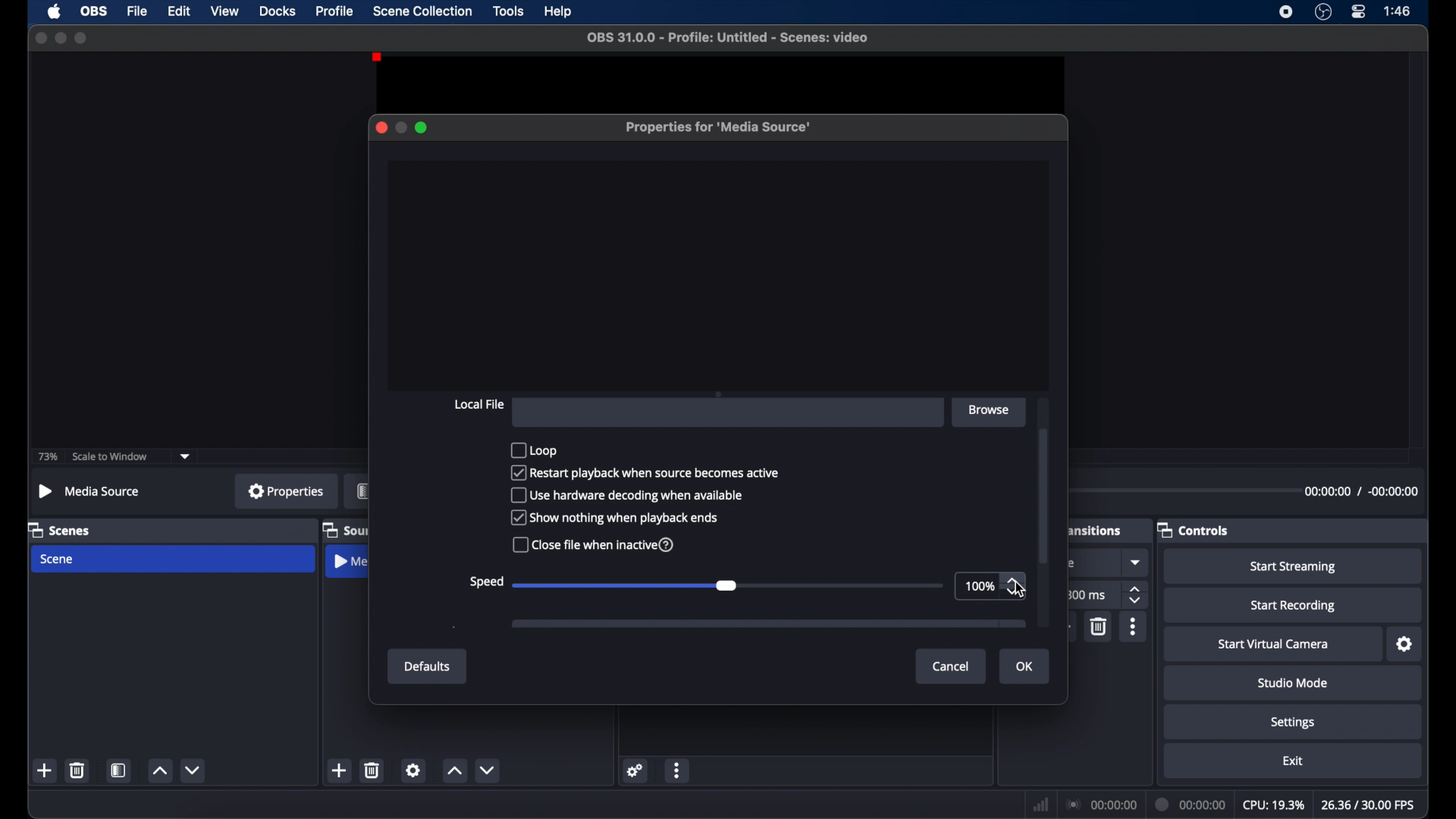 Image resolution: width=1456 pixels, height=819 pixels. What do you see at coordinates (1295, 606) in the screenshot?
I see `start recording` at bounding box center [1295, 606].